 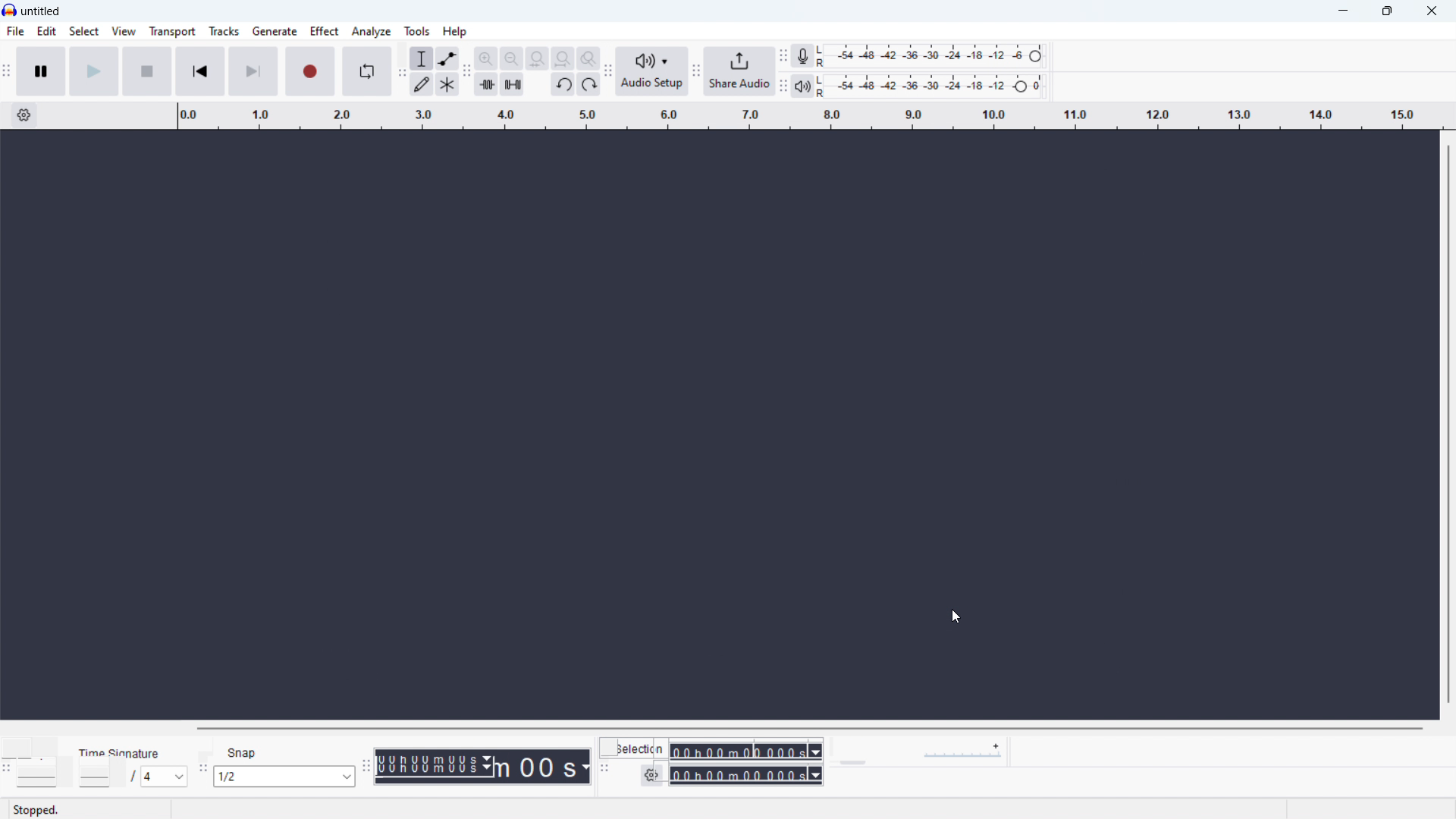 I want to click on redo, so click(x=588, y=84).